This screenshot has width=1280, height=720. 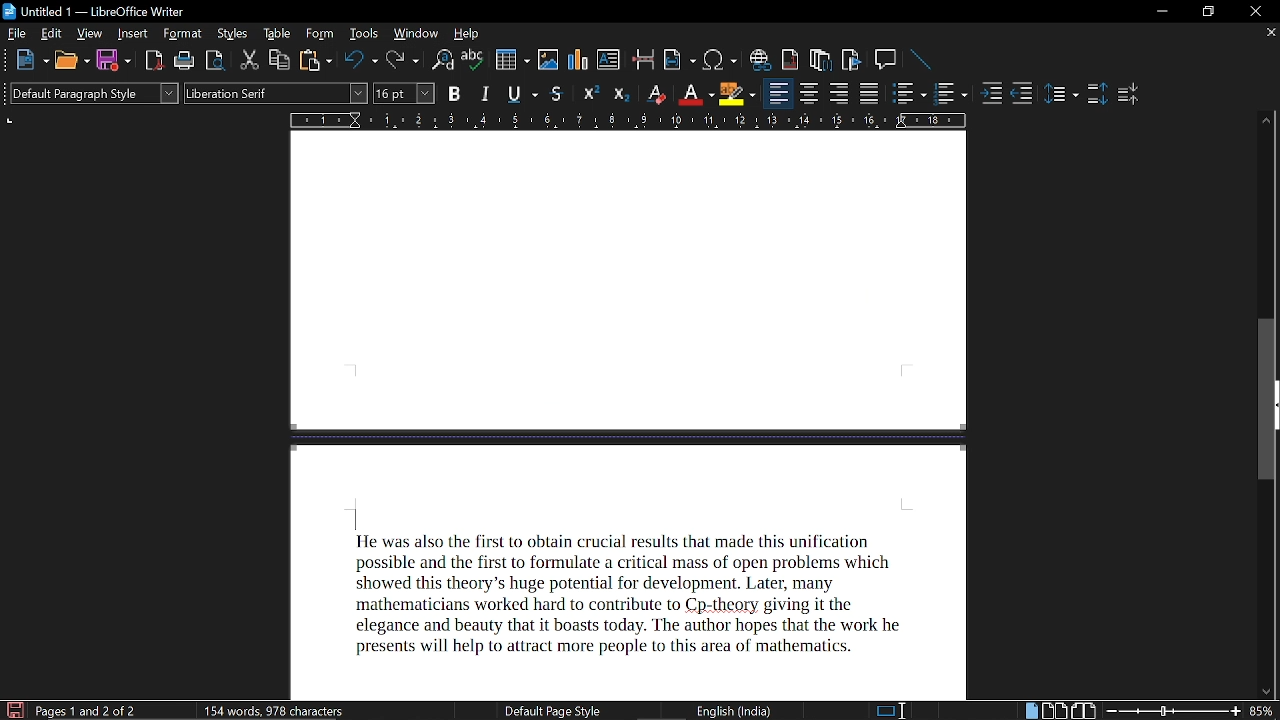 What do you see at coordinates (736, 93) in the screenshot?
I see `Highlight` at bounding box center [736, 93].